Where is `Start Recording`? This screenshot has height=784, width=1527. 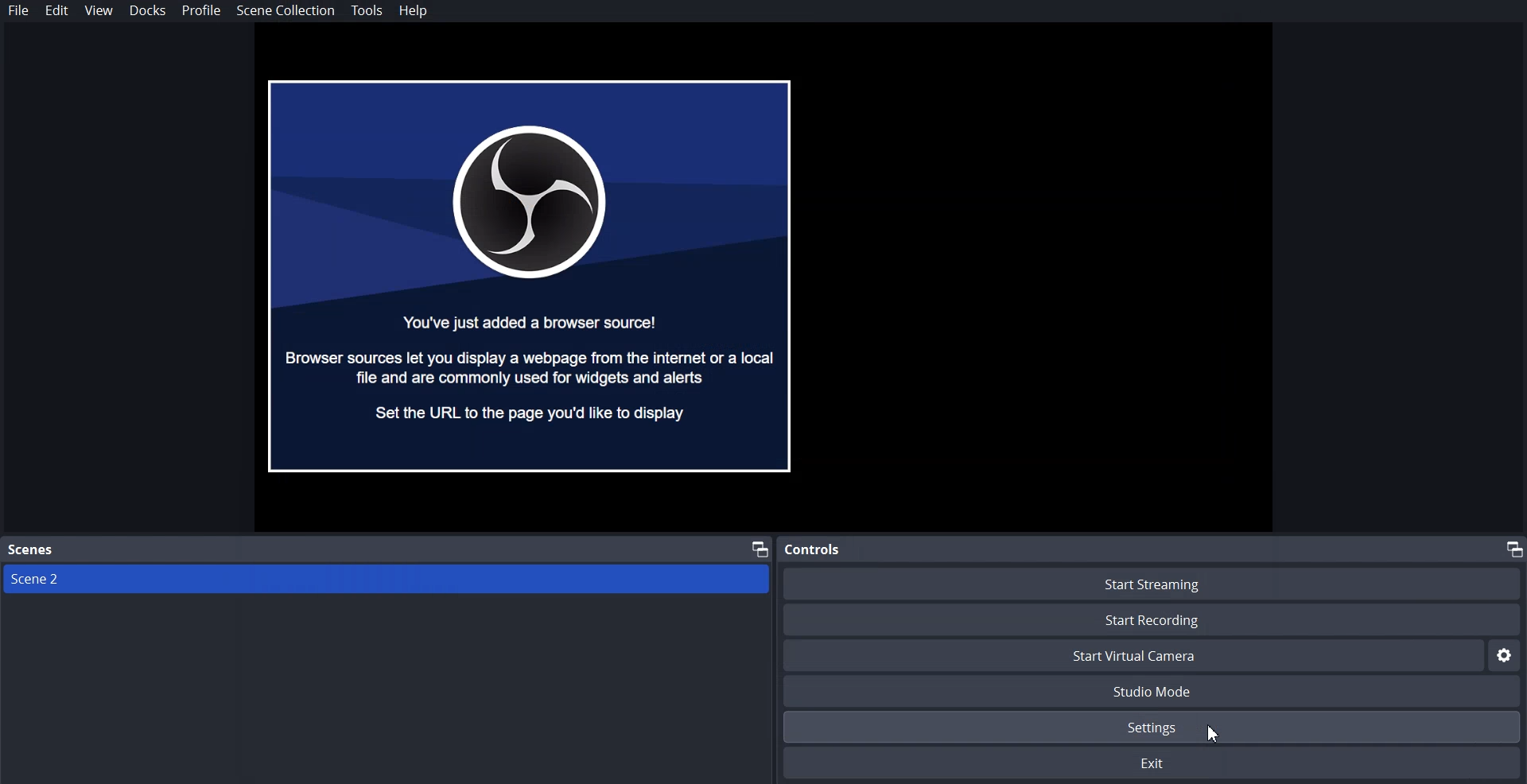
Start Recording is located at coordinates (1151, 619).